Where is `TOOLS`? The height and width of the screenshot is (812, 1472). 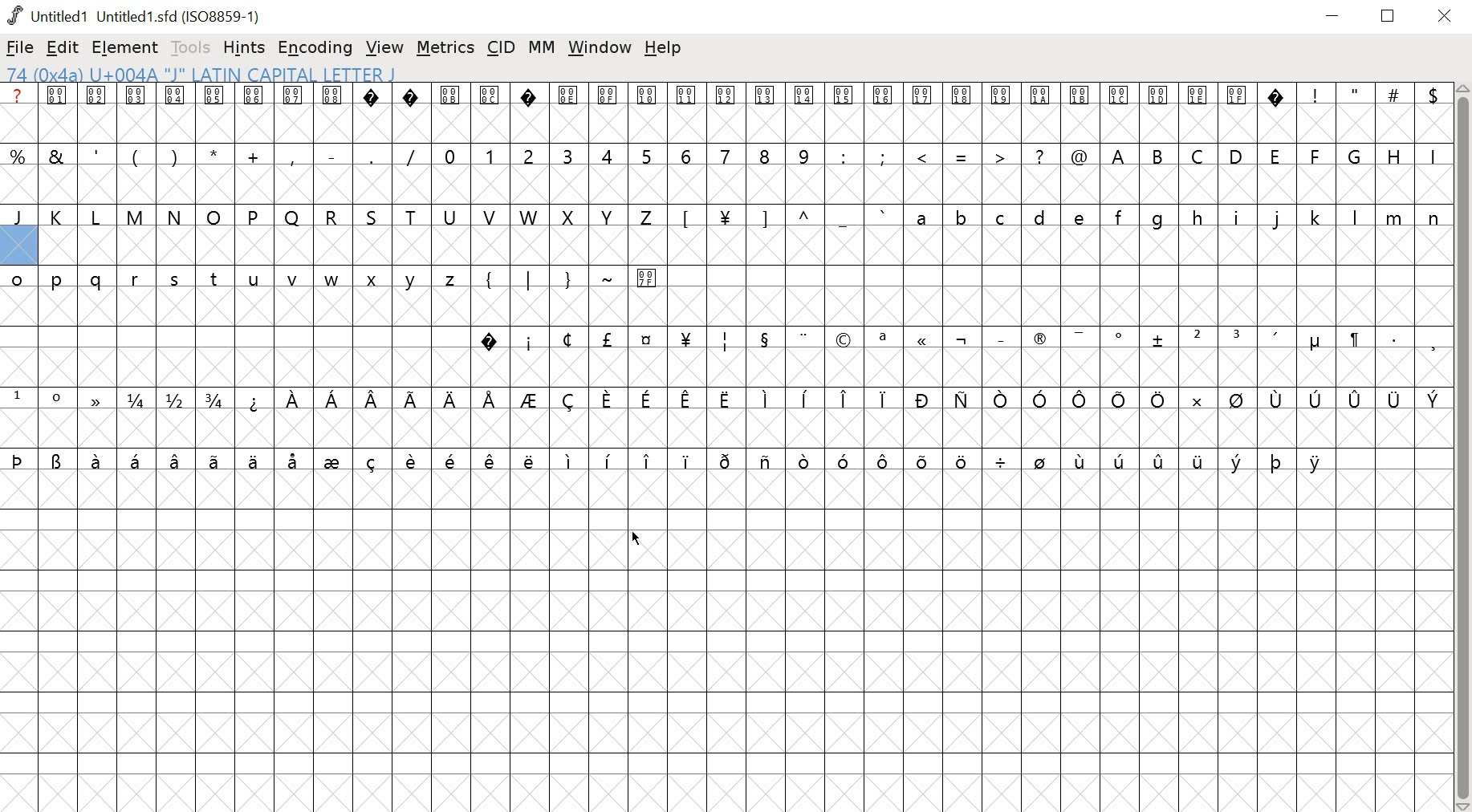 TOOLS is located at coordinates (193, 47).